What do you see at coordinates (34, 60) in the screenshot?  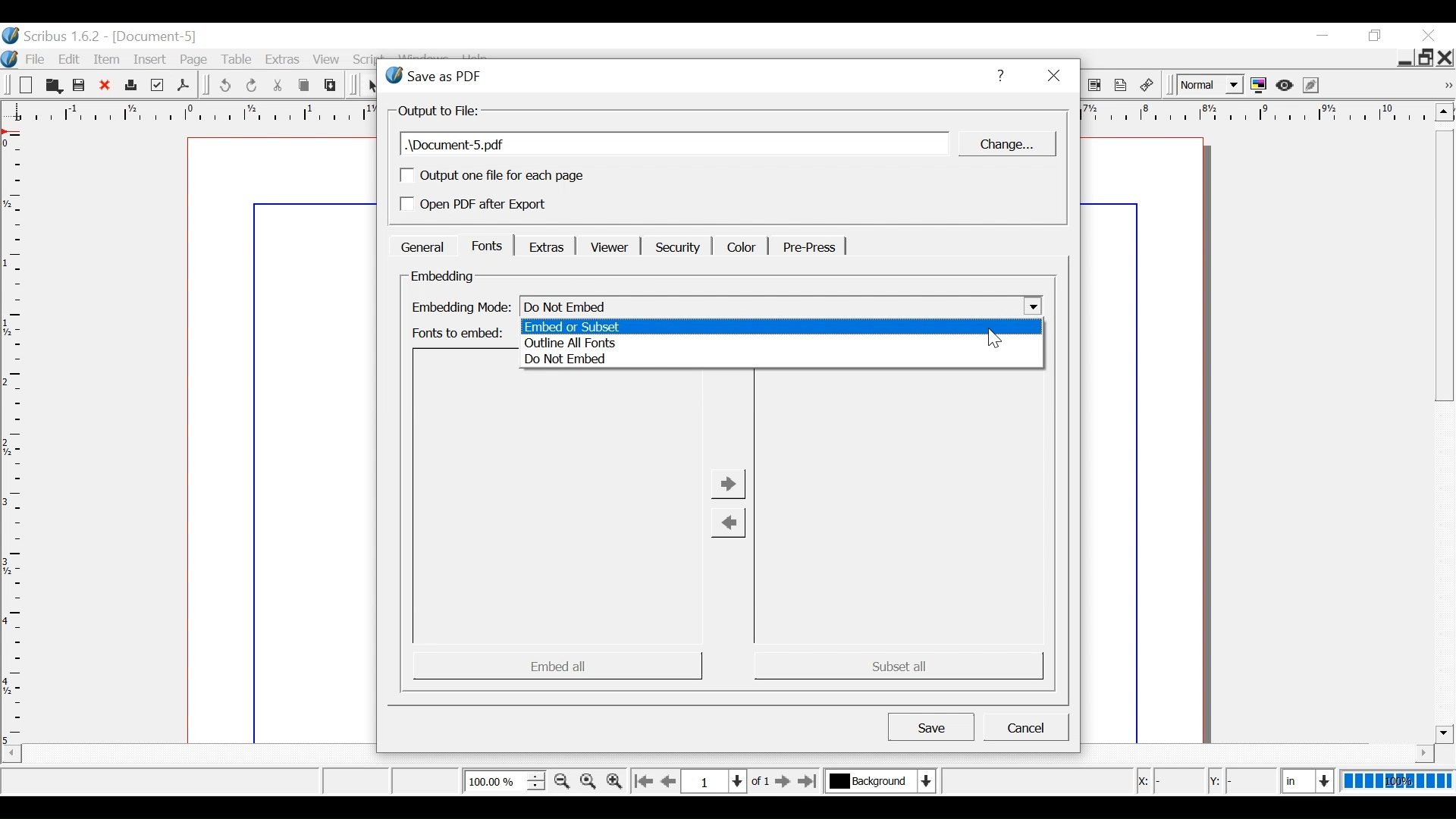 I see `File` at bounding box center [34, 60].